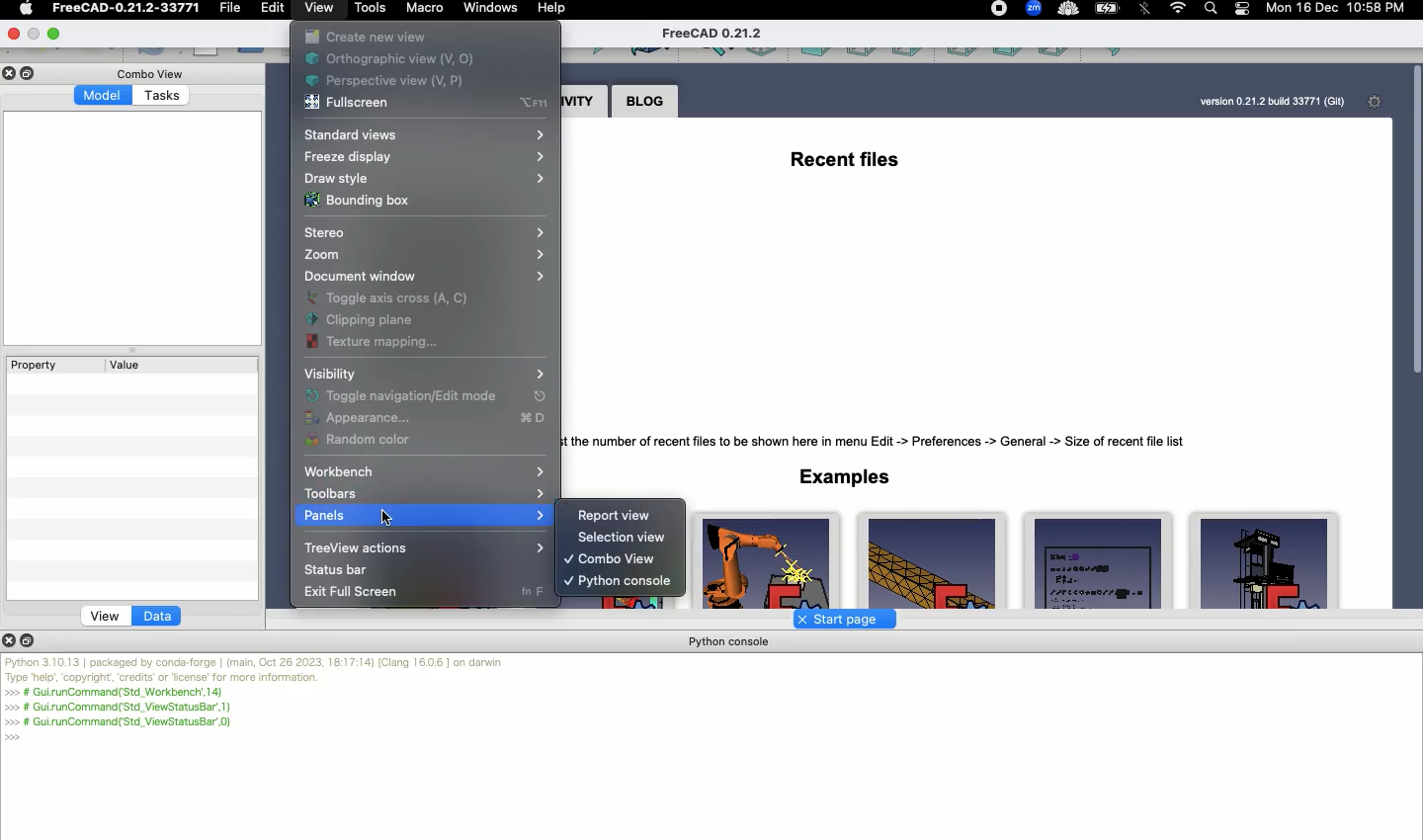 This screenshot has width=1423, height=840. I want to click on Selection view, so click(626, 537).